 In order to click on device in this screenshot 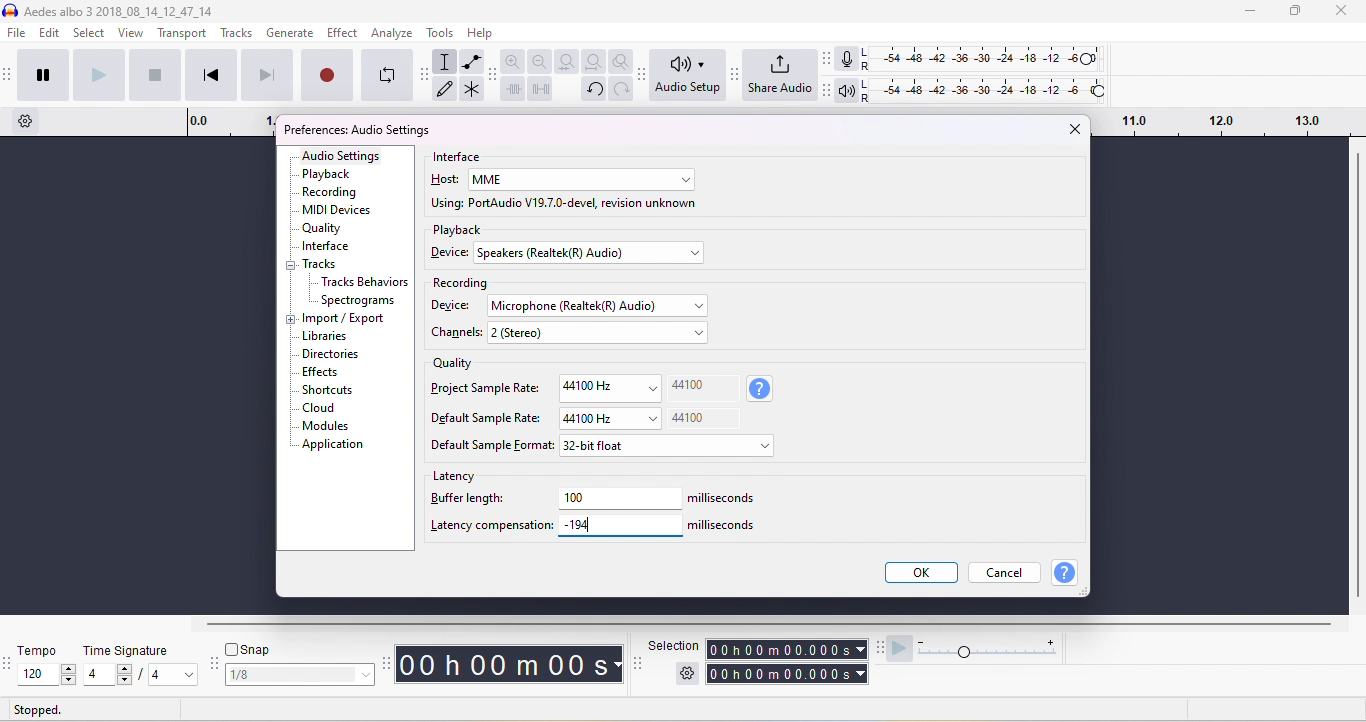, I will do `click(449, 252)`.